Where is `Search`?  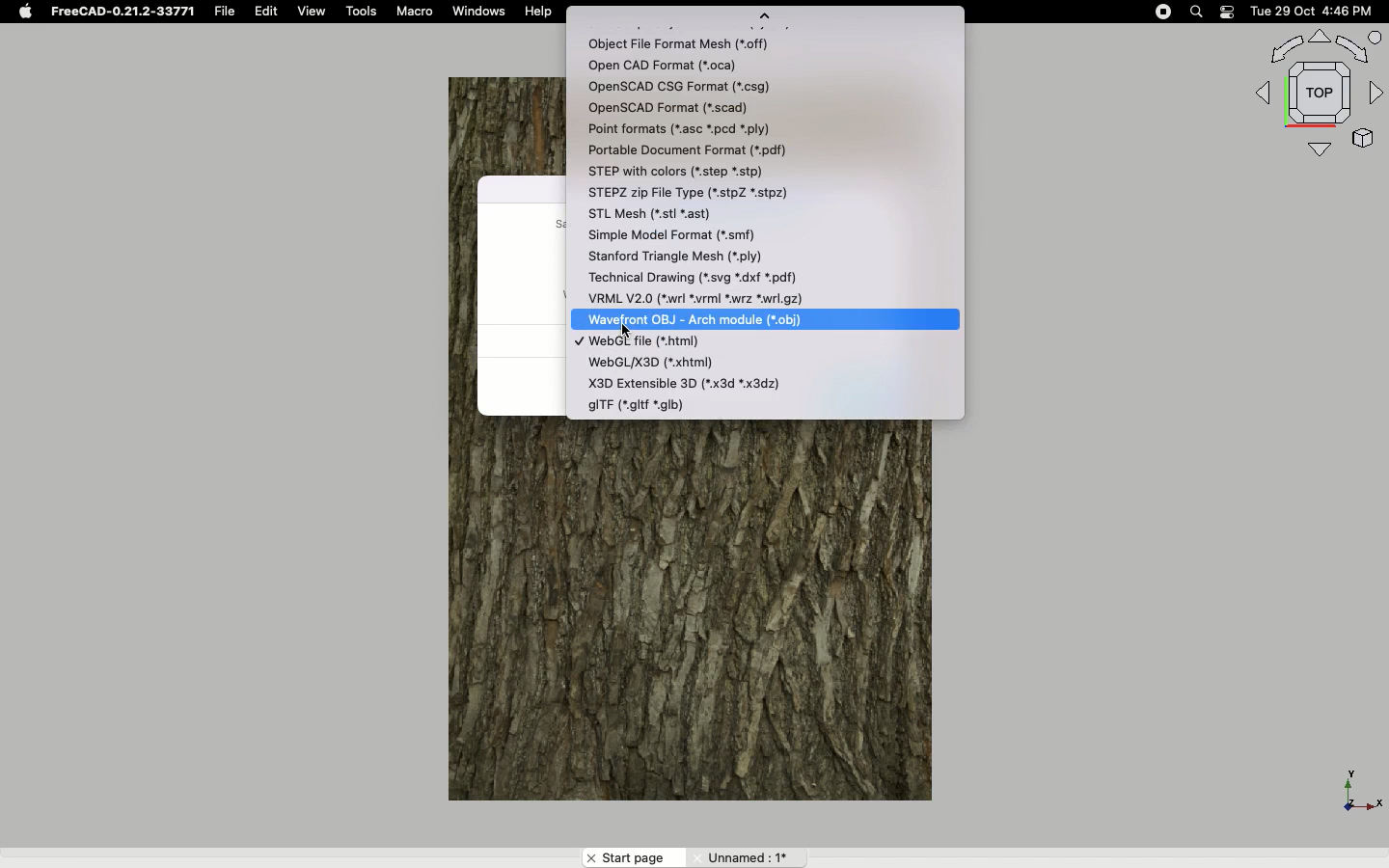
Search is located at coordinates (1197, 12).